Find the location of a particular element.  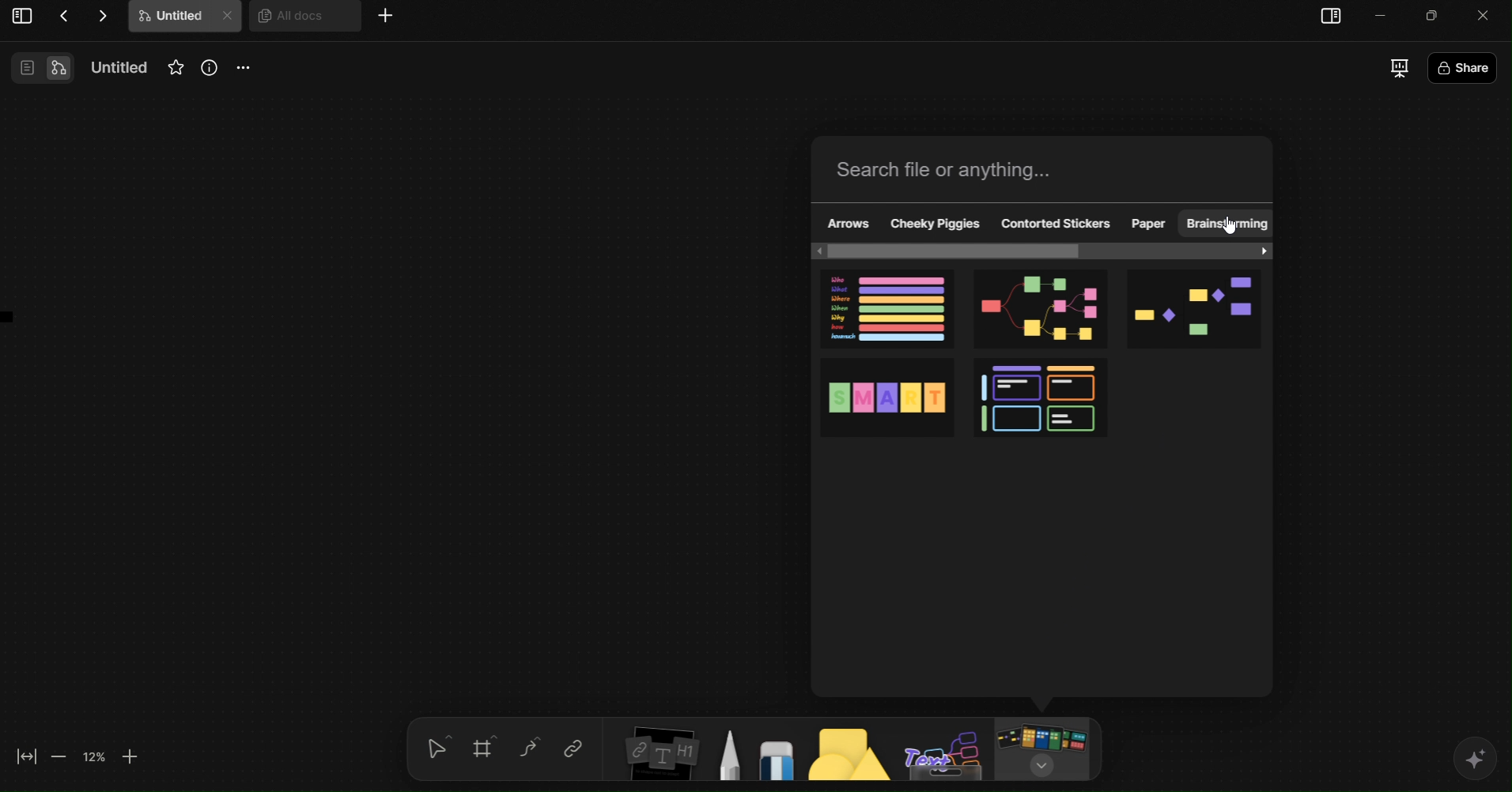

All docs is located at coordinates (302, 23).